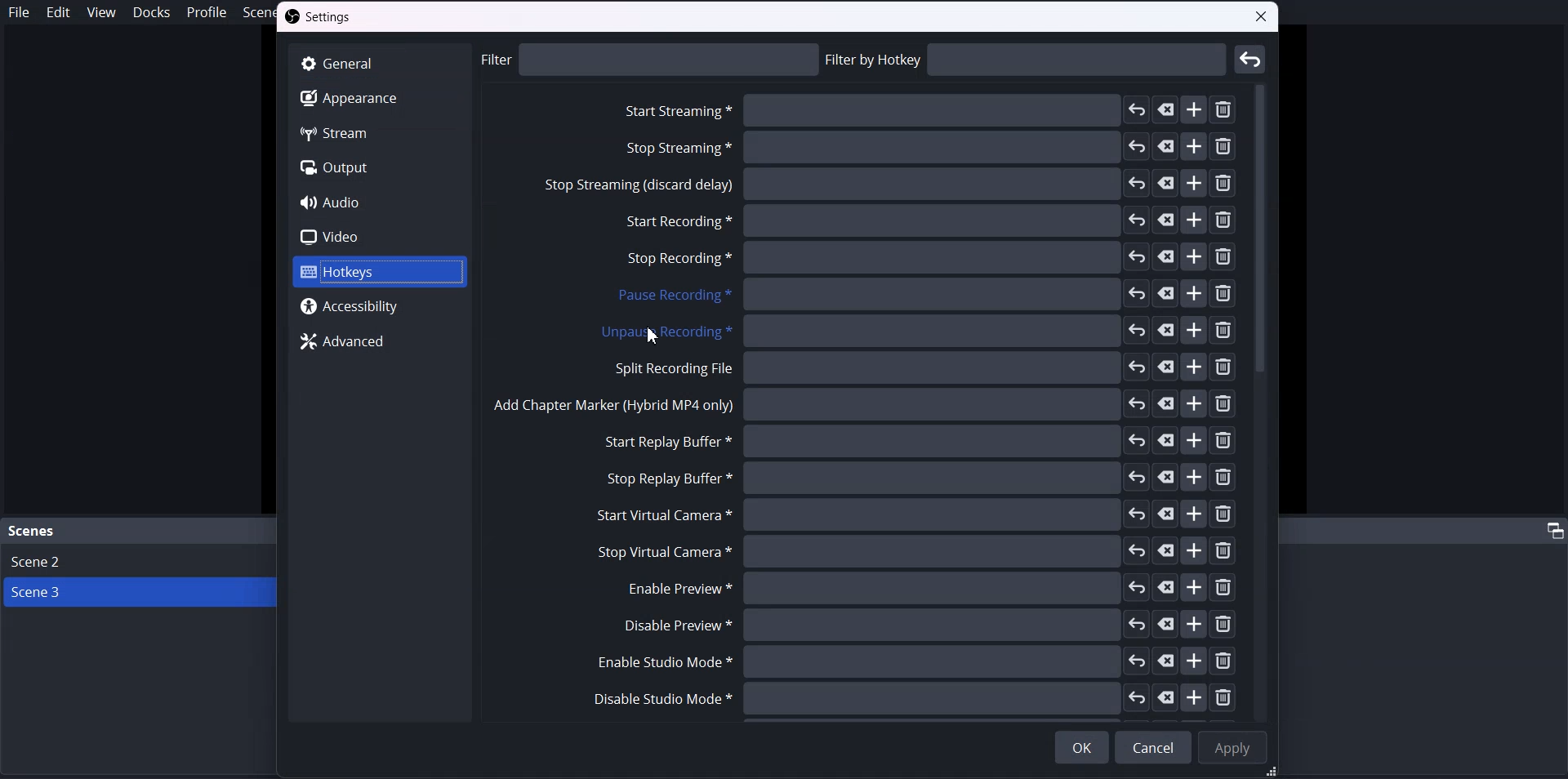  I want to click on OK, so click(1082, 747).